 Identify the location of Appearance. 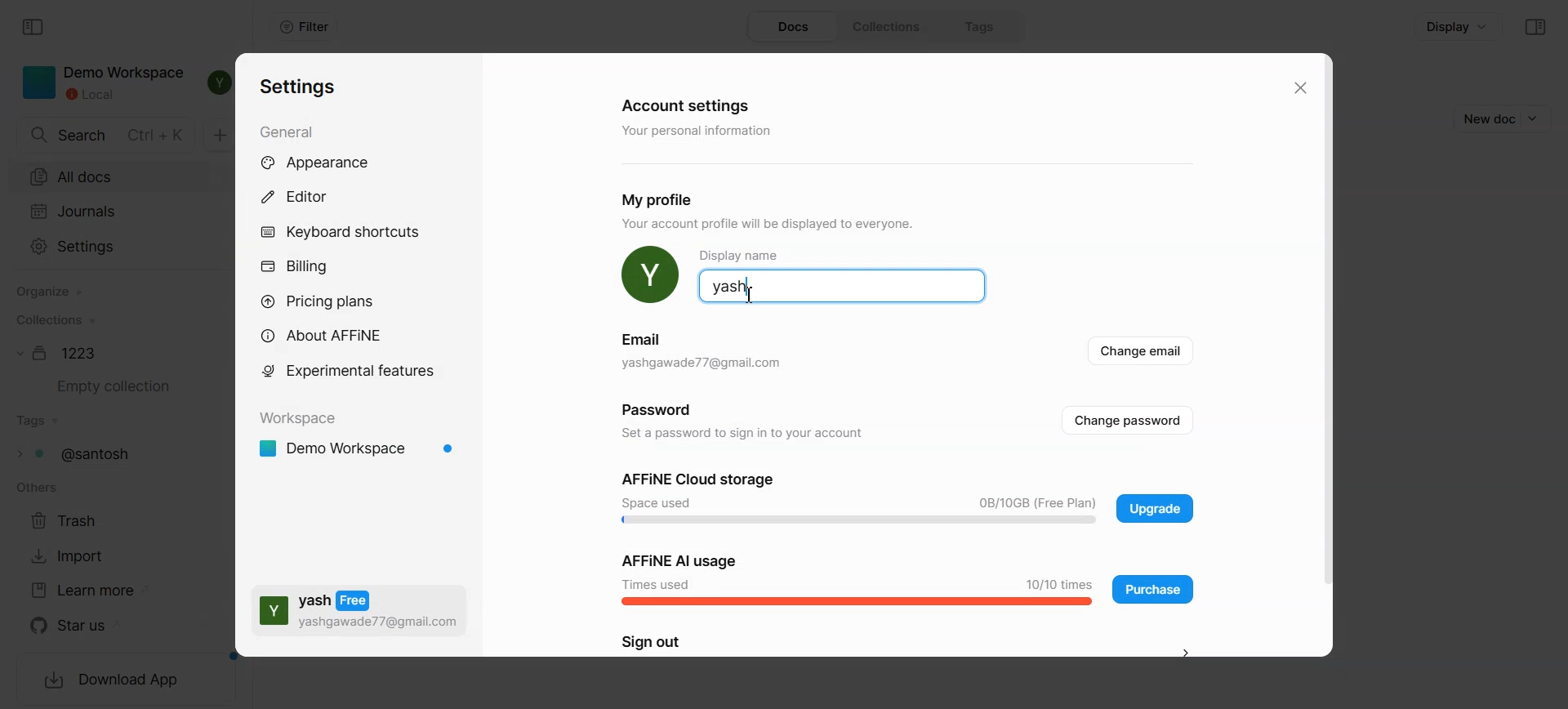
(332, 163).